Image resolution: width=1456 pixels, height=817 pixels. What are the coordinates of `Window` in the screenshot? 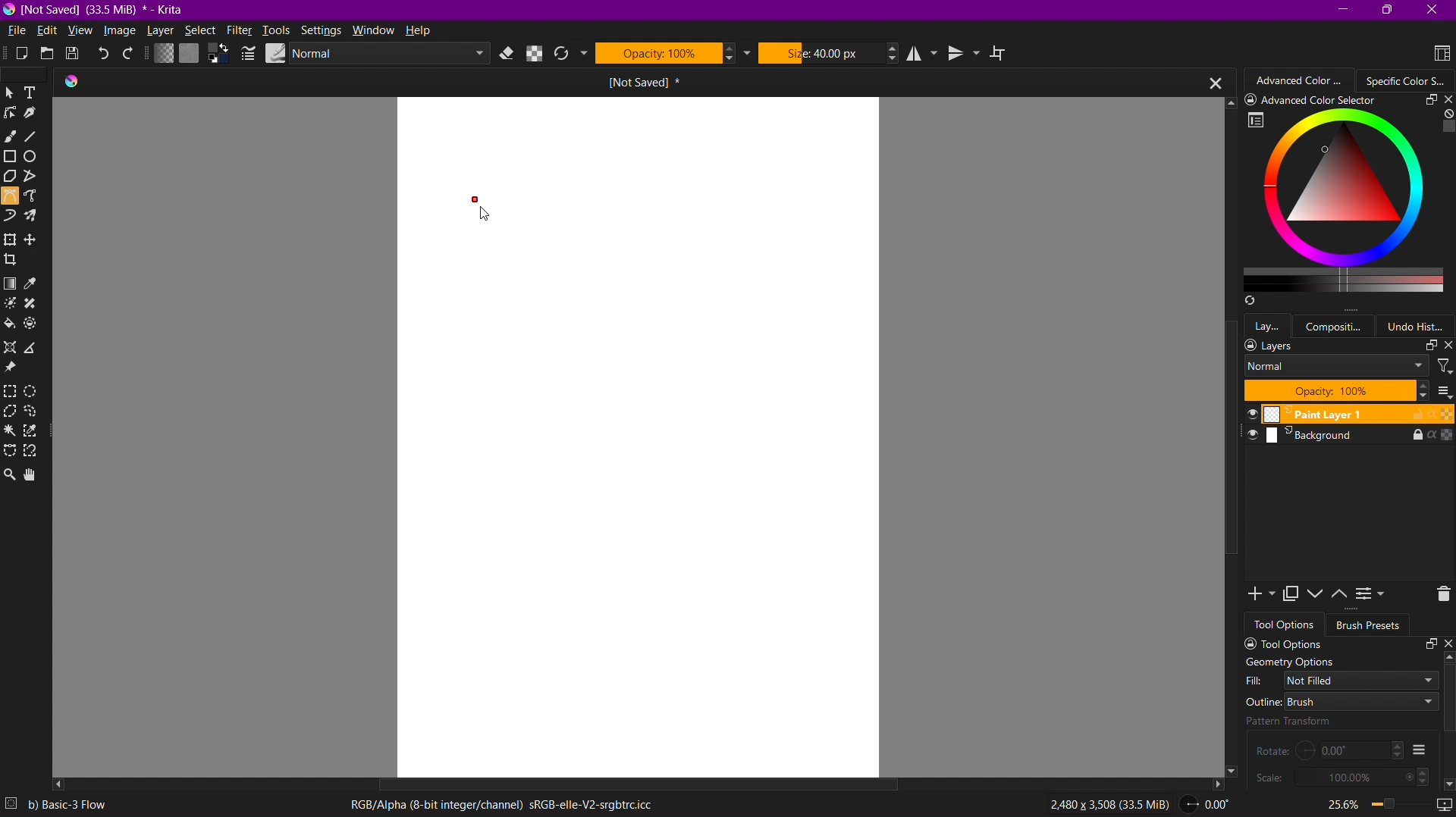 It's located at (376, 30).